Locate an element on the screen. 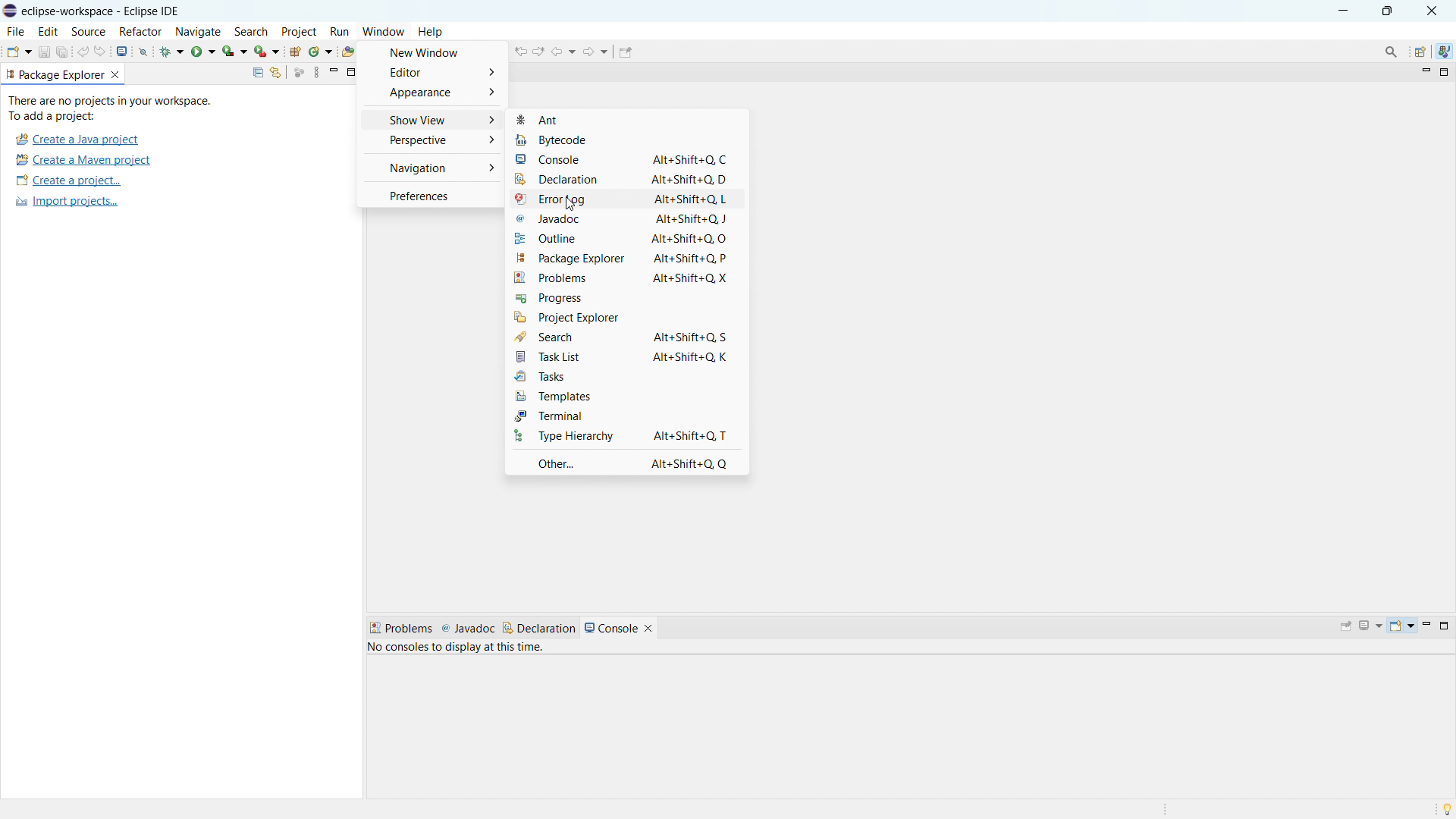 The image size is (1456, 819). project is located at coordinates (299, 31).